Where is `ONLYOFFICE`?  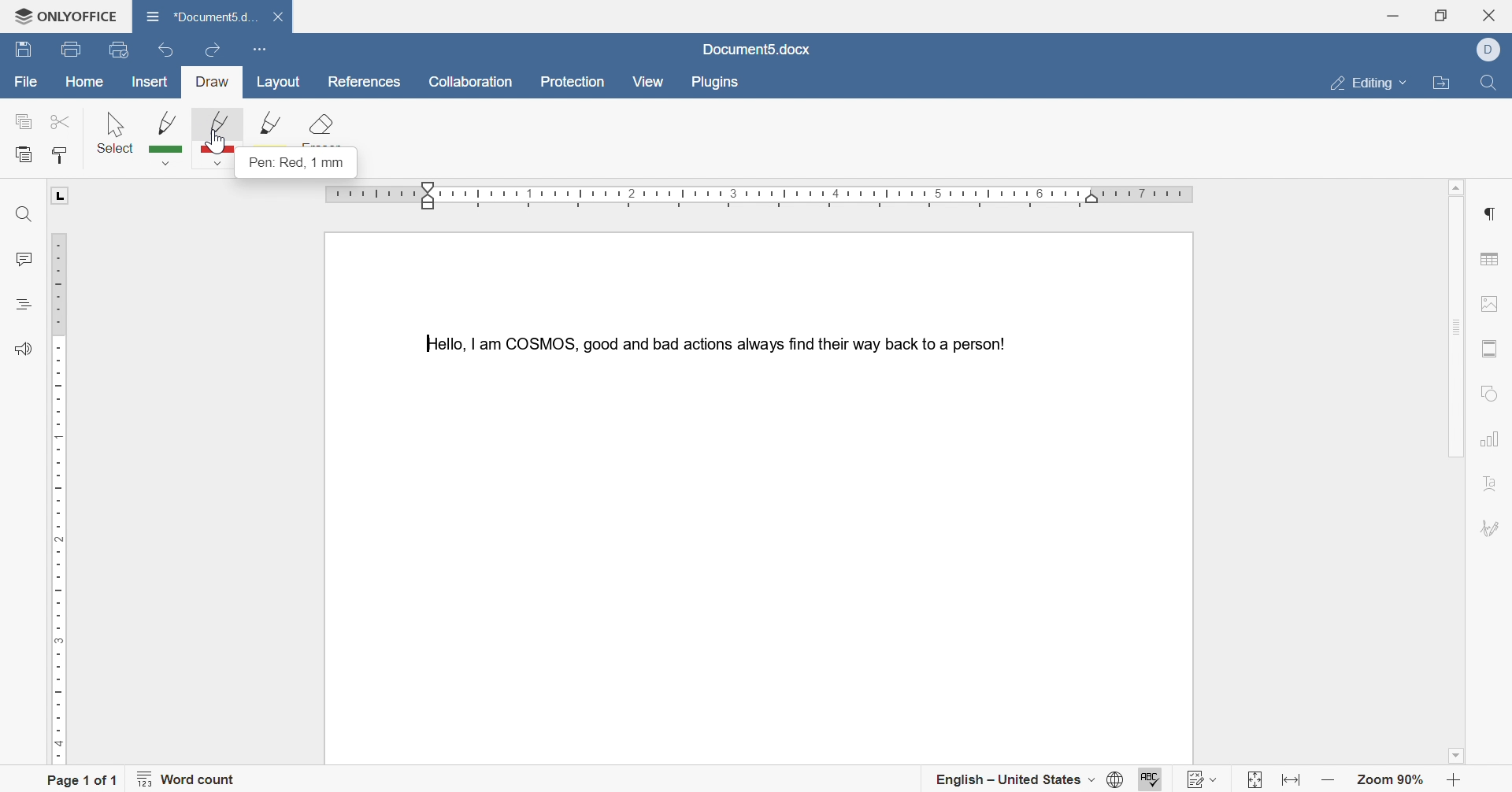 ONLYOFFICE is located at coordinates (60, 13).